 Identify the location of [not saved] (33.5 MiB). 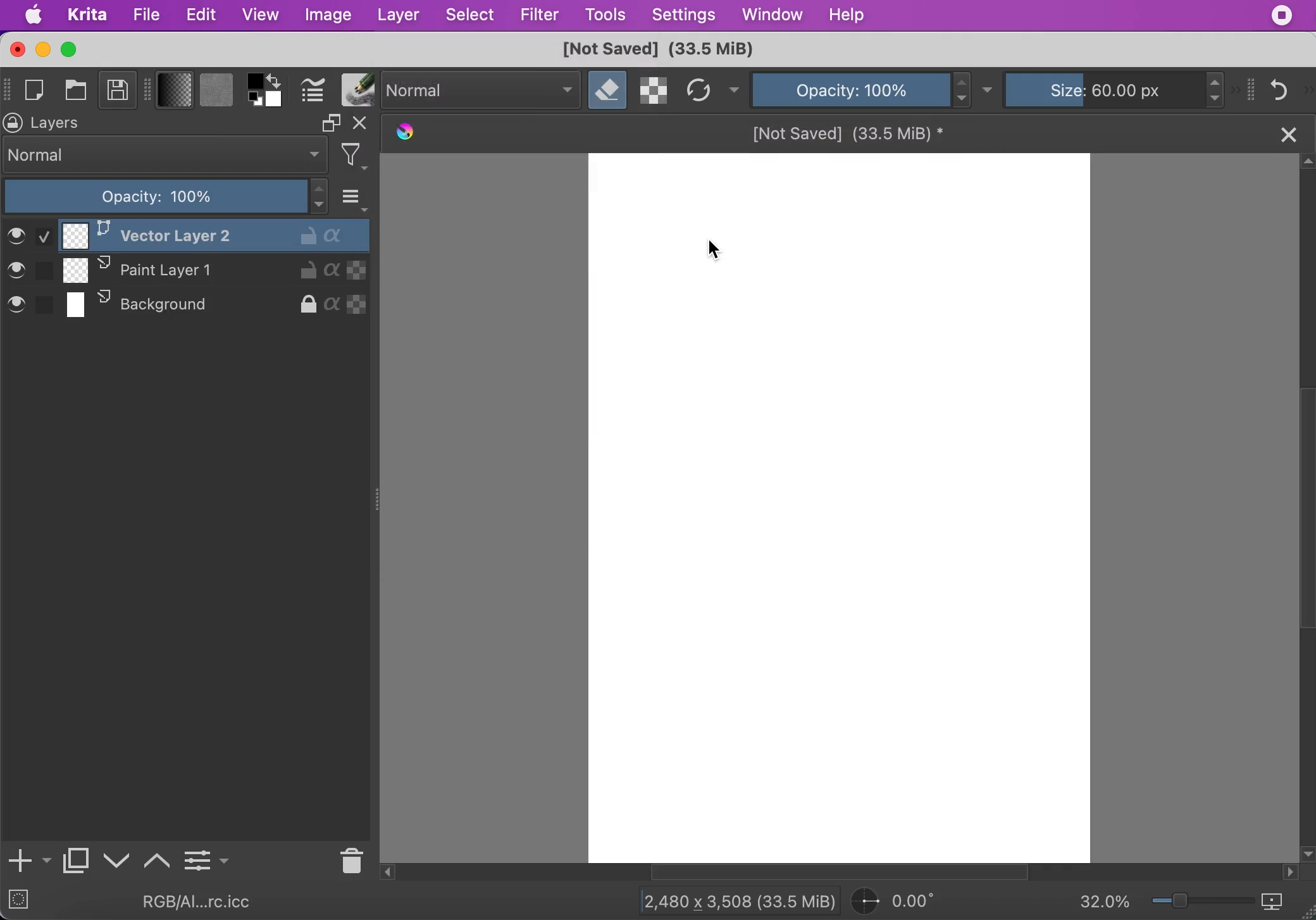
(848, 132).